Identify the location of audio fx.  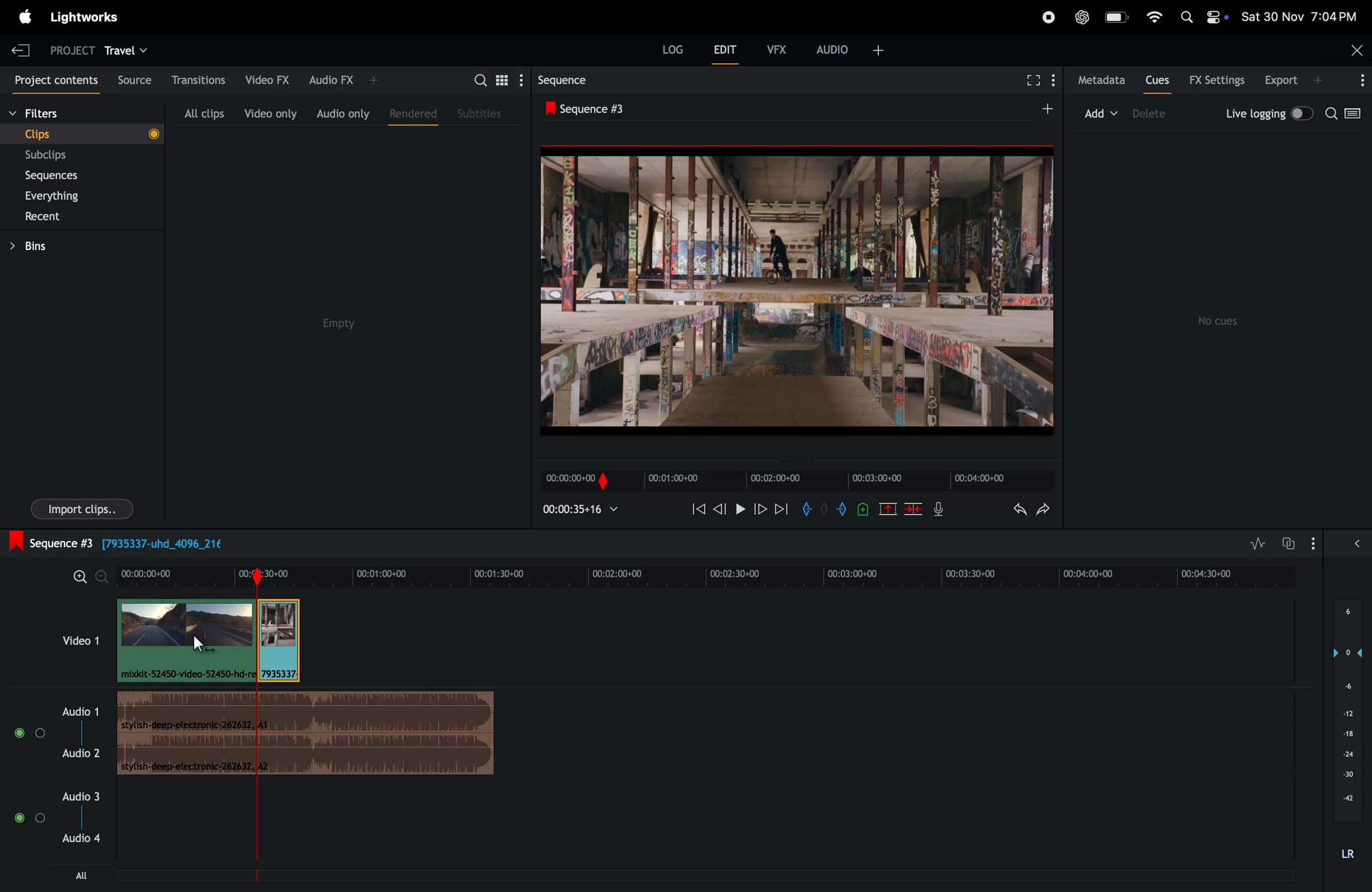
(341, 80).